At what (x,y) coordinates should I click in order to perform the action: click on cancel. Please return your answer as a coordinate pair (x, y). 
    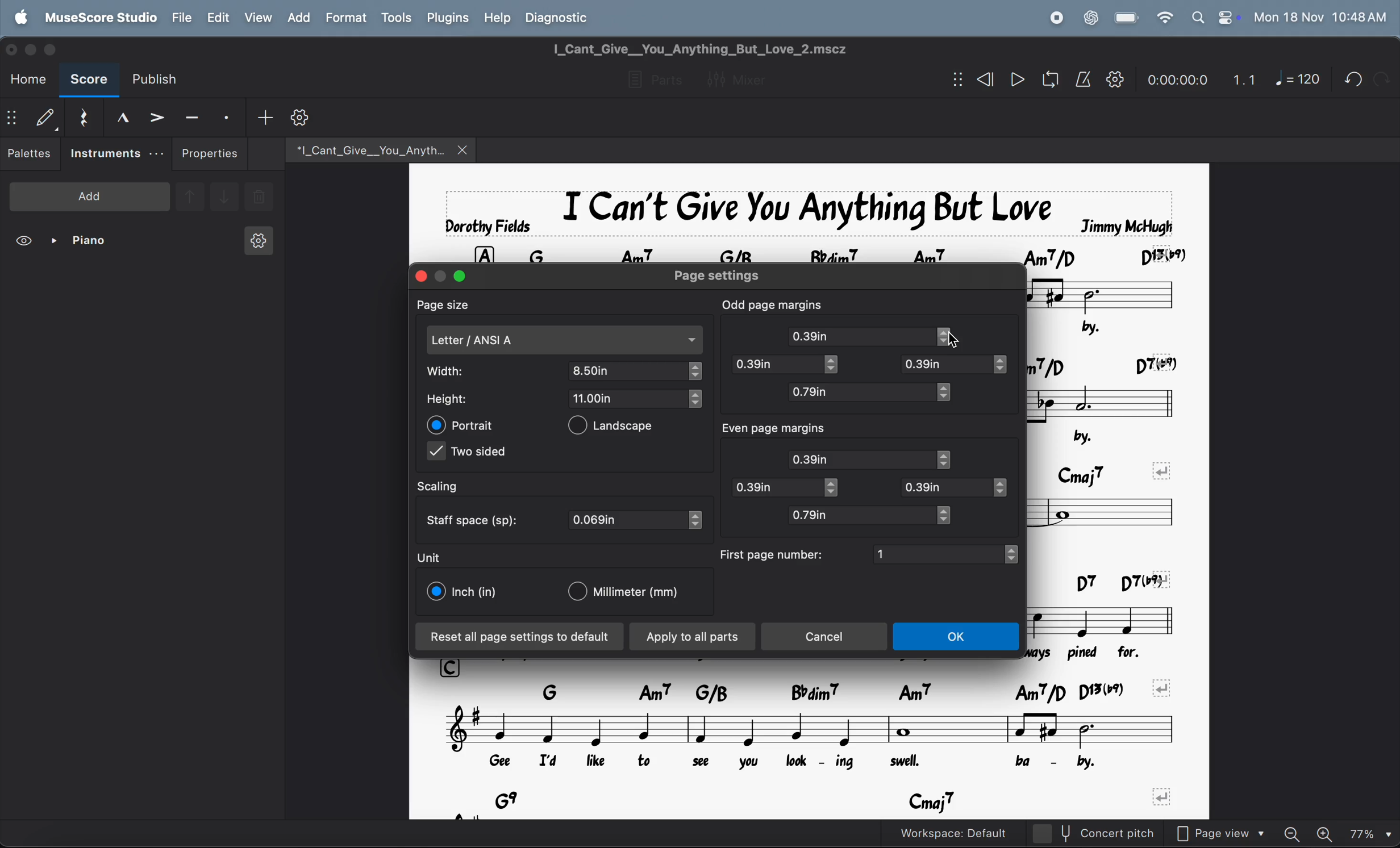
    Looking at the image, I should click on (827, 637).